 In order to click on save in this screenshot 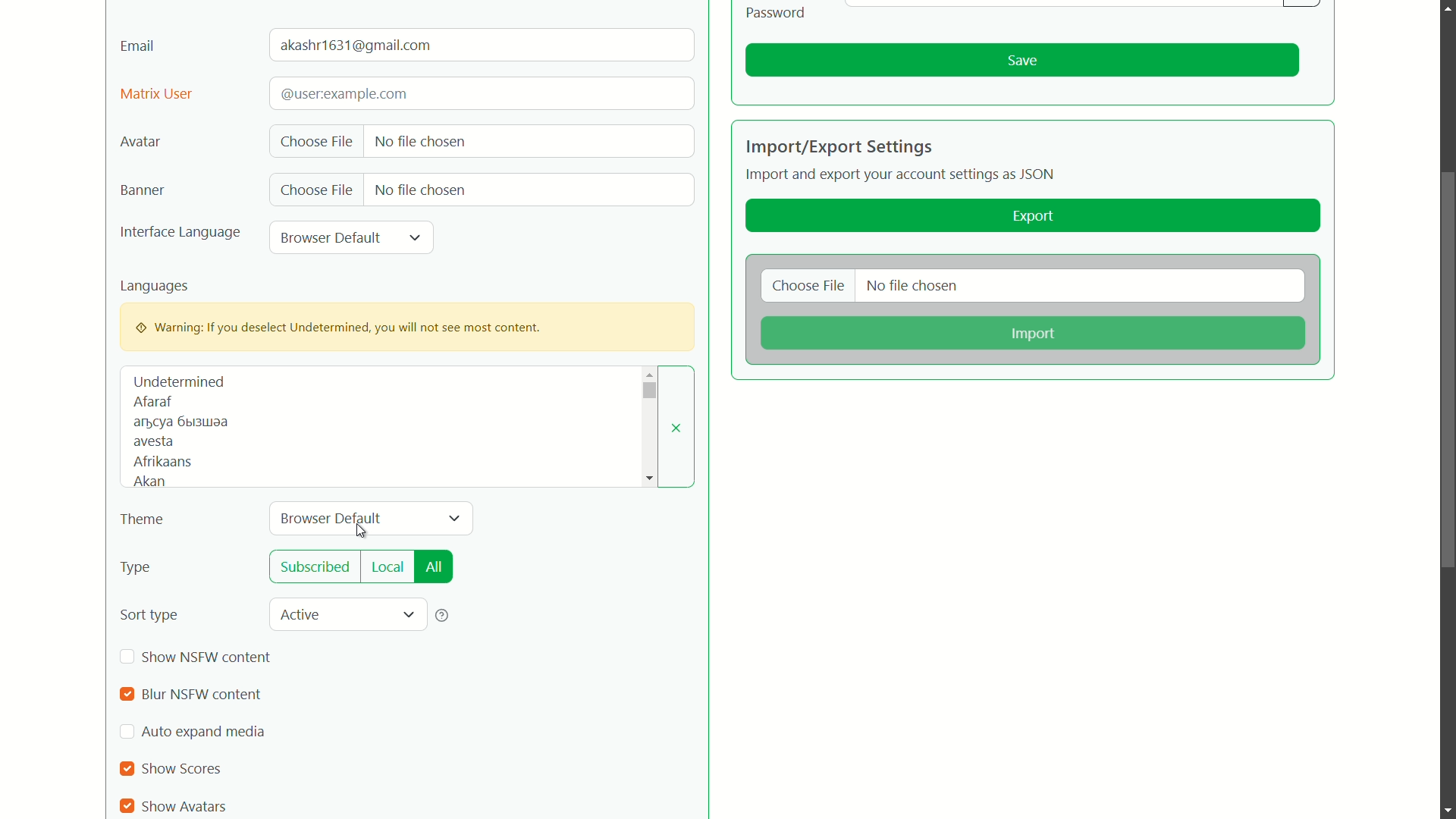, I will do `click(1022, 61)`.